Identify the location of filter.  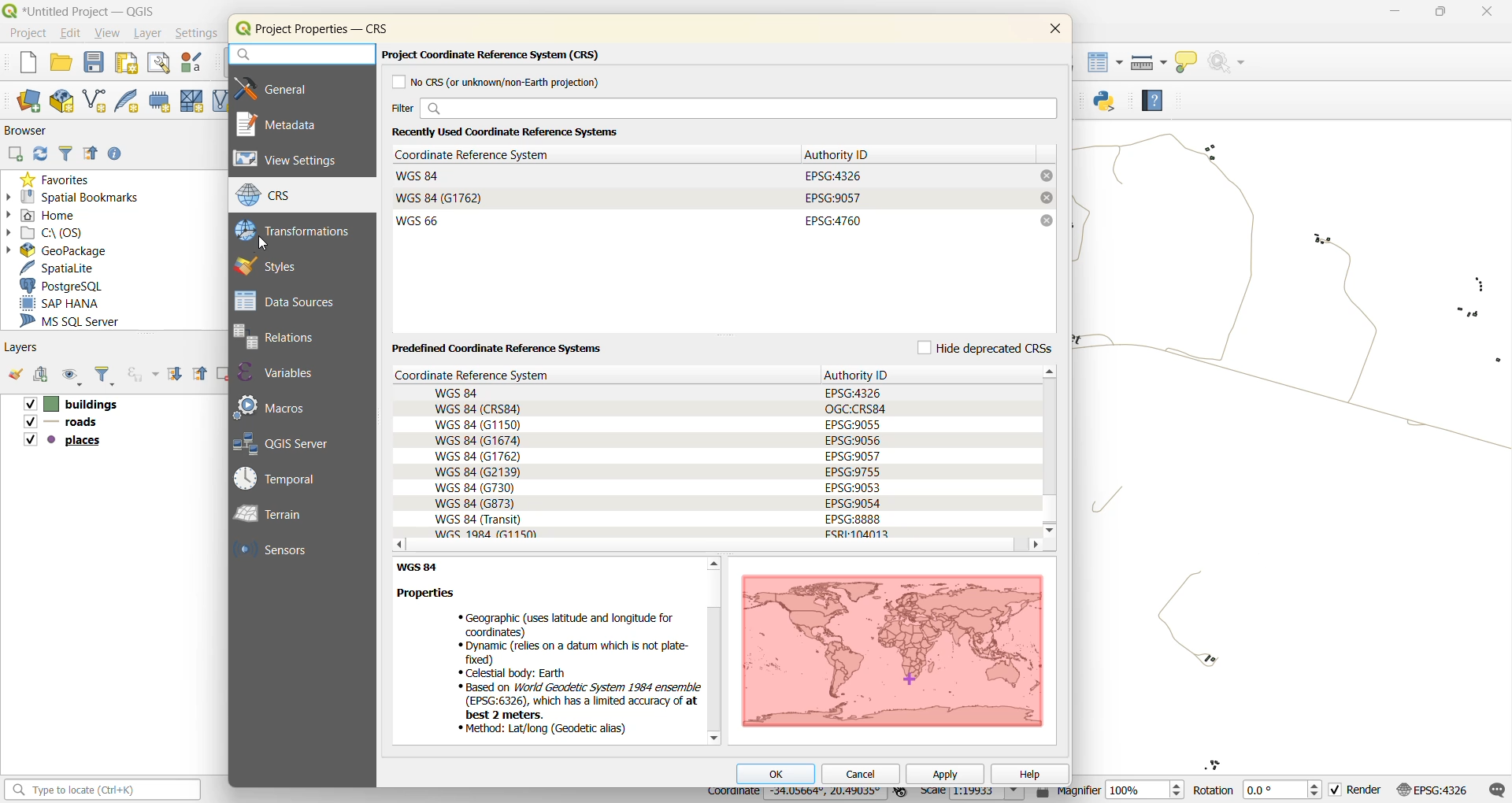
(722, 109).